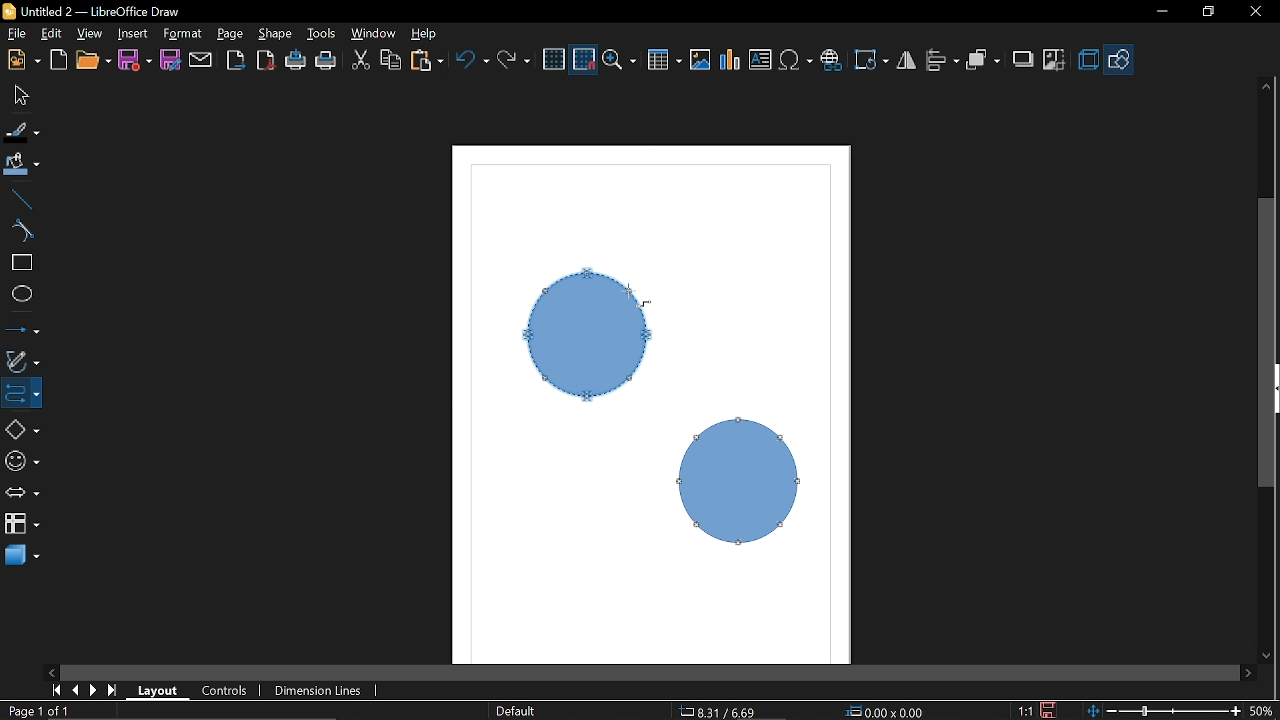  What do you see at coordinates (19, 294) in the screenshot?
I see `Ellipse` at bounding box center [19, 294].